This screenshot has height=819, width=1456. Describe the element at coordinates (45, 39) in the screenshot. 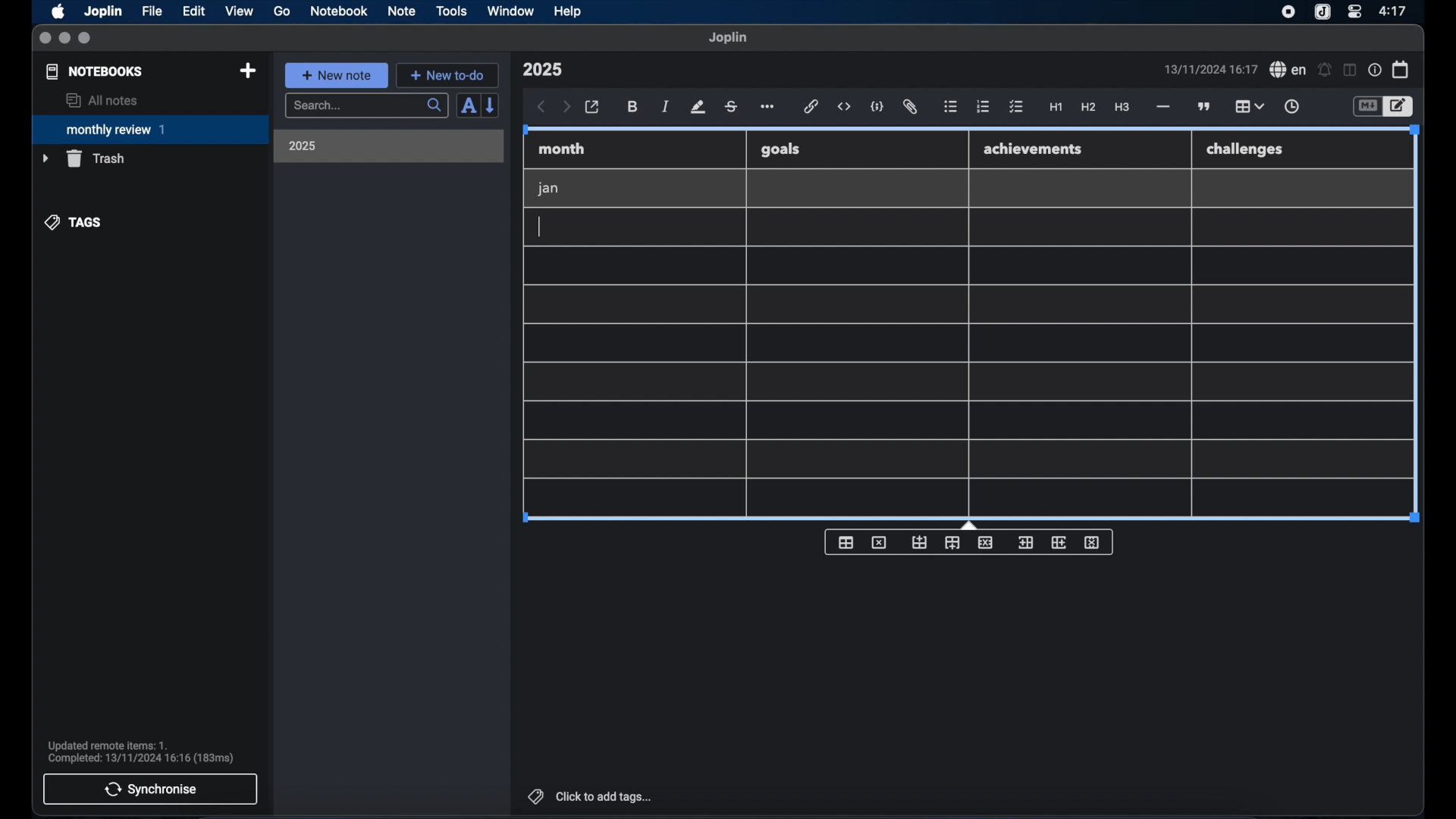

I see `close` at that location.